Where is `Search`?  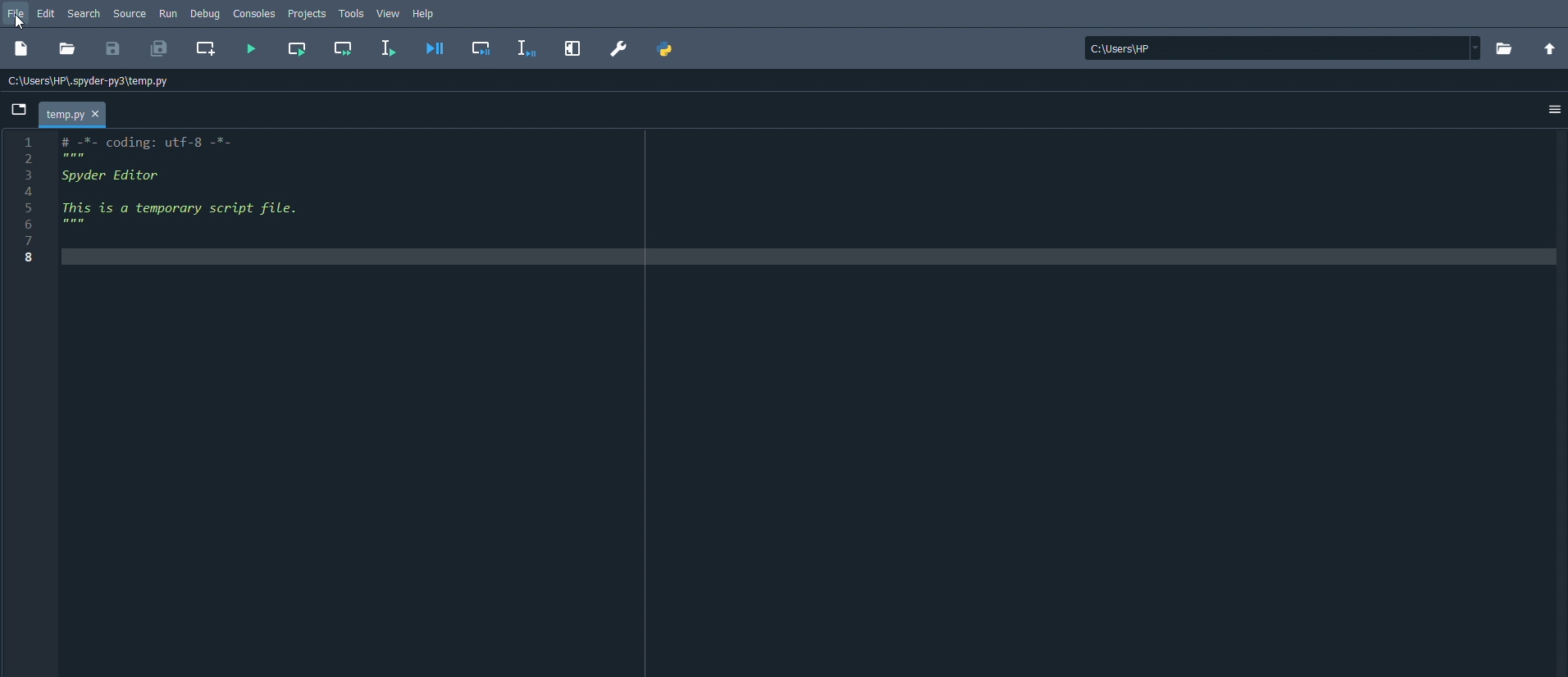 Search is located at coordinates (84, 12).